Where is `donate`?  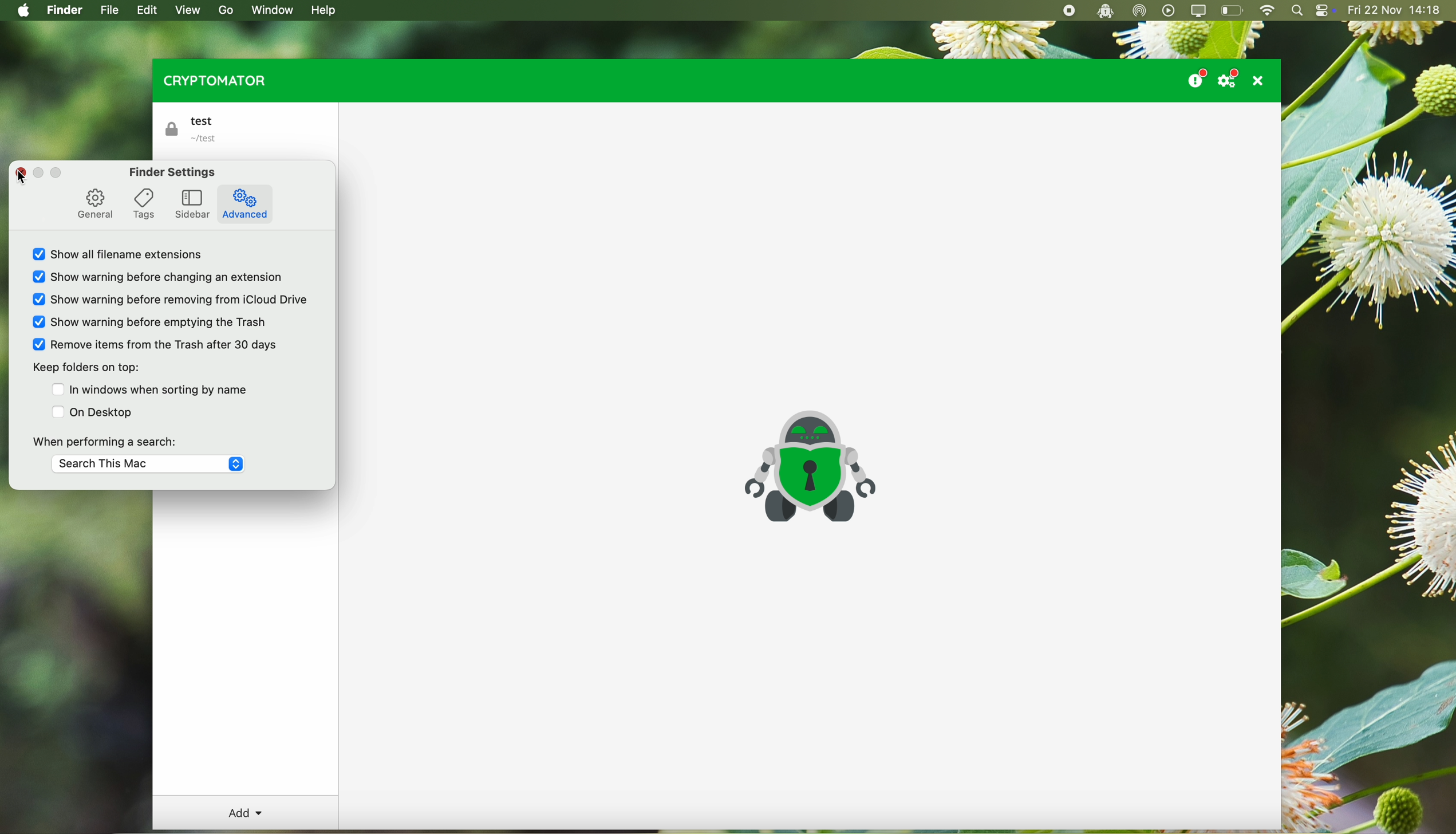
donate is located at coordinates (1195, 76).